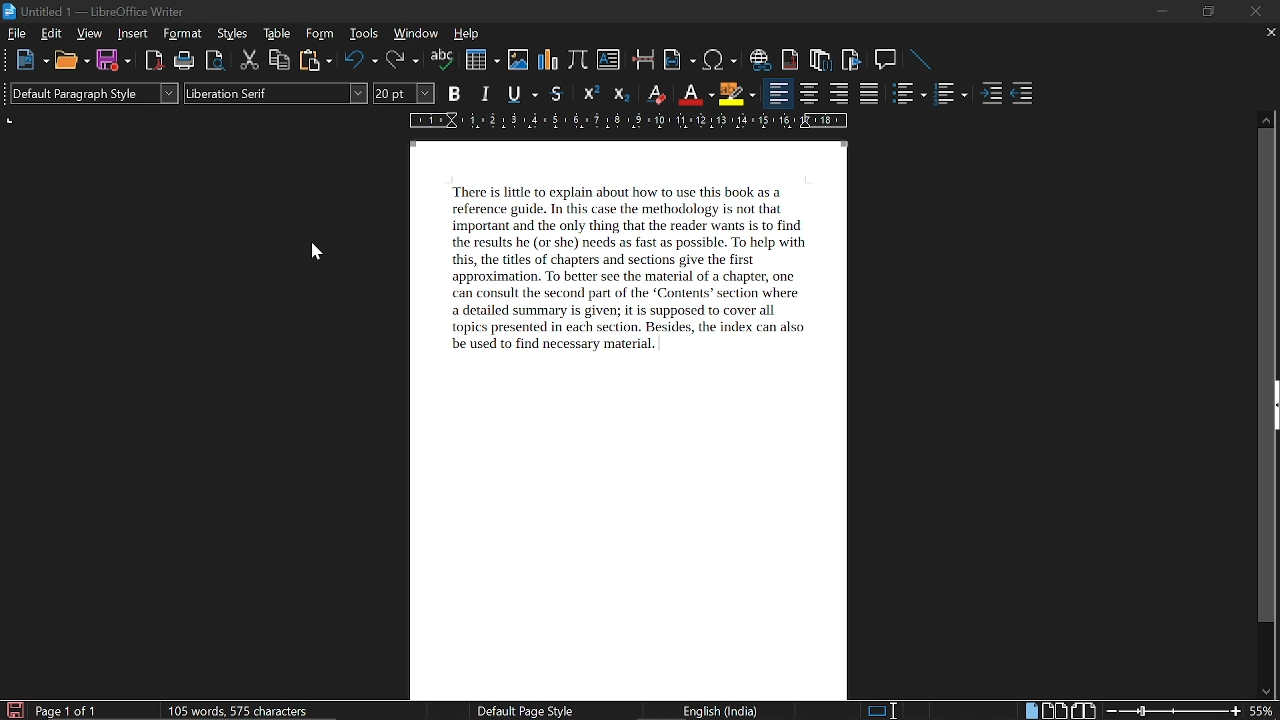 Image resolution: width=1280 pixels, height=720 pixels. What do you see at coordinates (779, 93) in the screenshot?
I see `align left` at bounding box center [779, 93].